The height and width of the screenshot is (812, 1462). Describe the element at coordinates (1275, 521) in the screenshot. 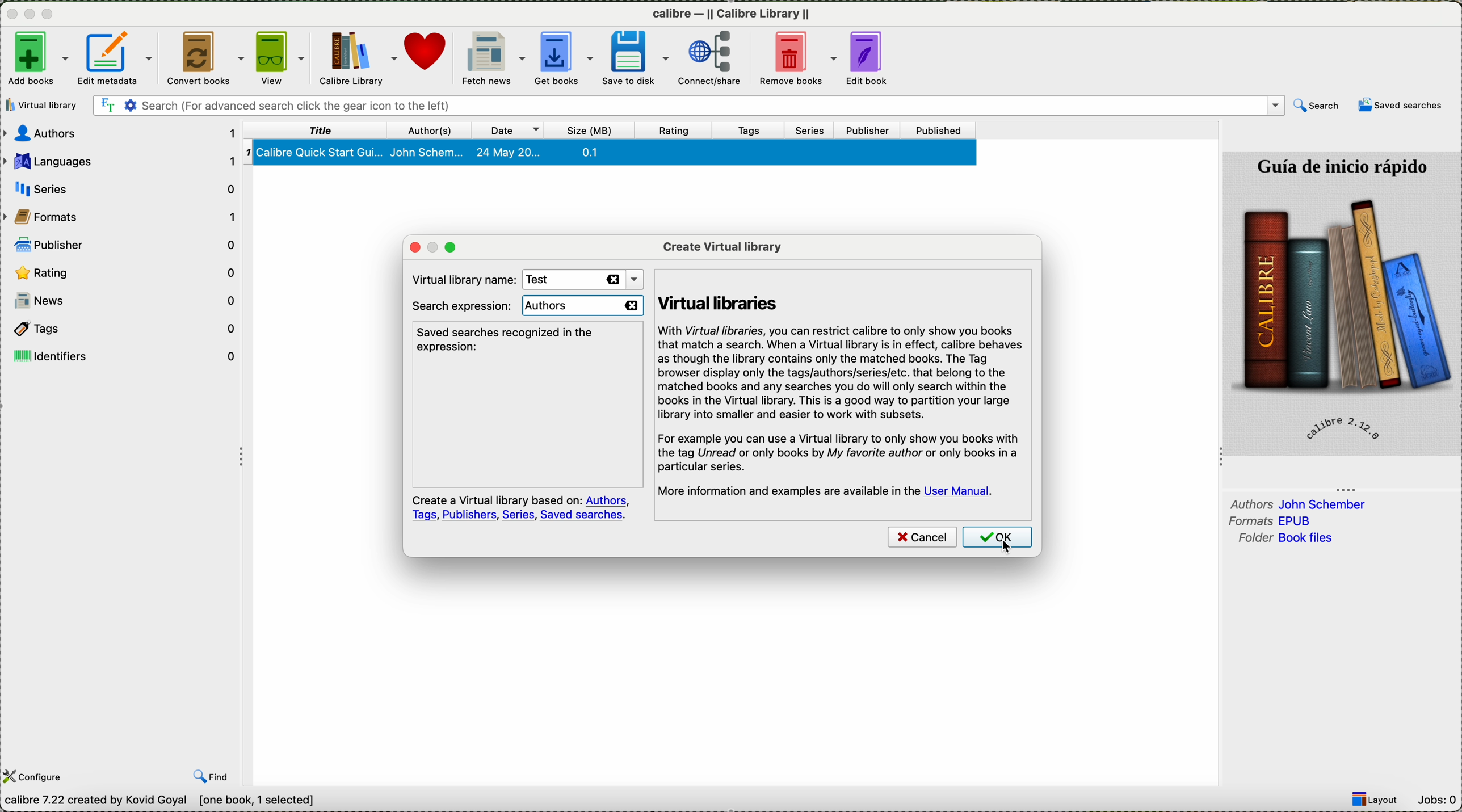

I see `formats` at that location.